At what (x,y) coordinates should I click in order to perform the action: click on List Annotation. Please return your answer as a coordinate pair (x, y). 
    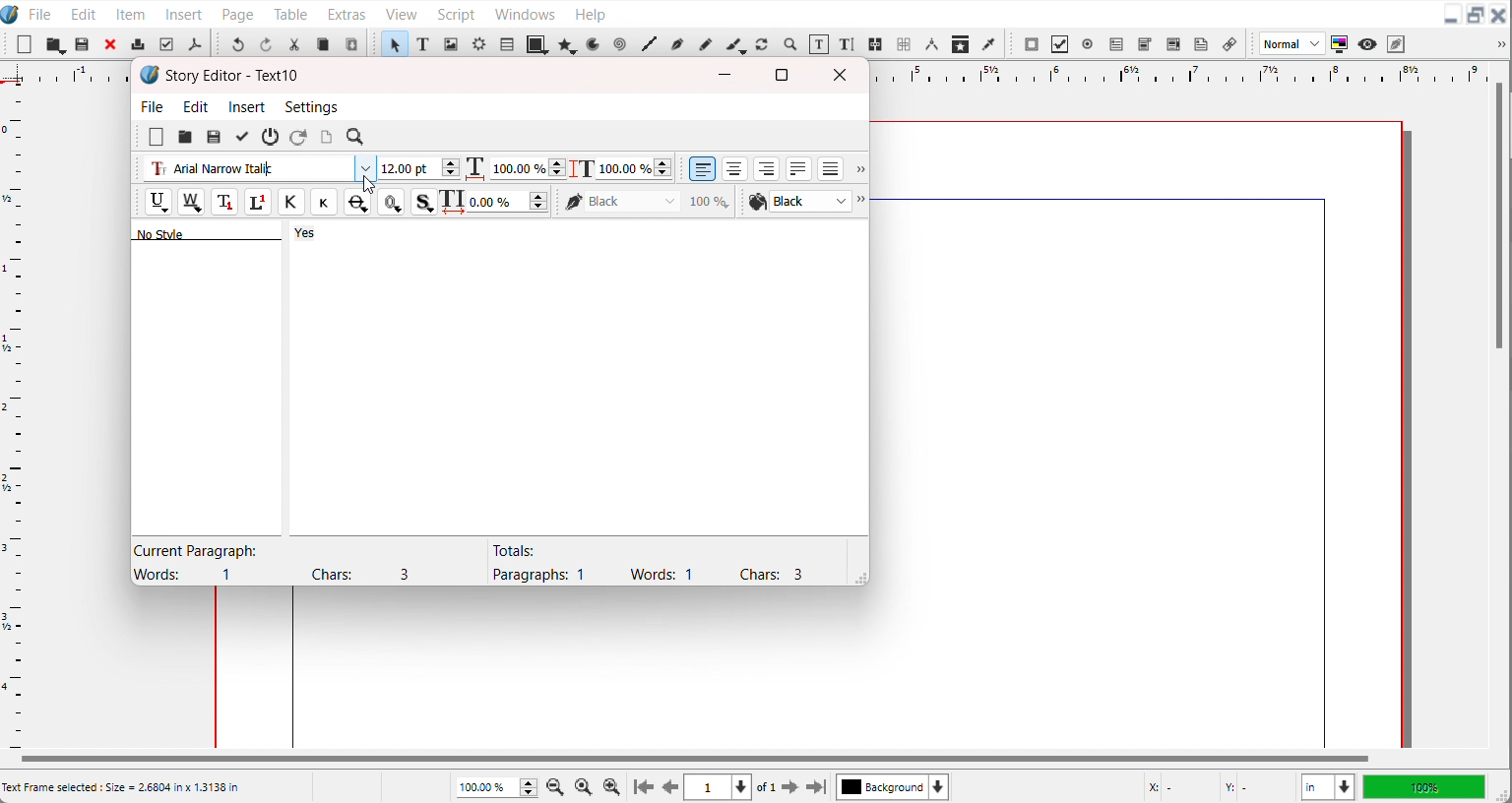
    Looking at the image, I should click on (1228, 43).